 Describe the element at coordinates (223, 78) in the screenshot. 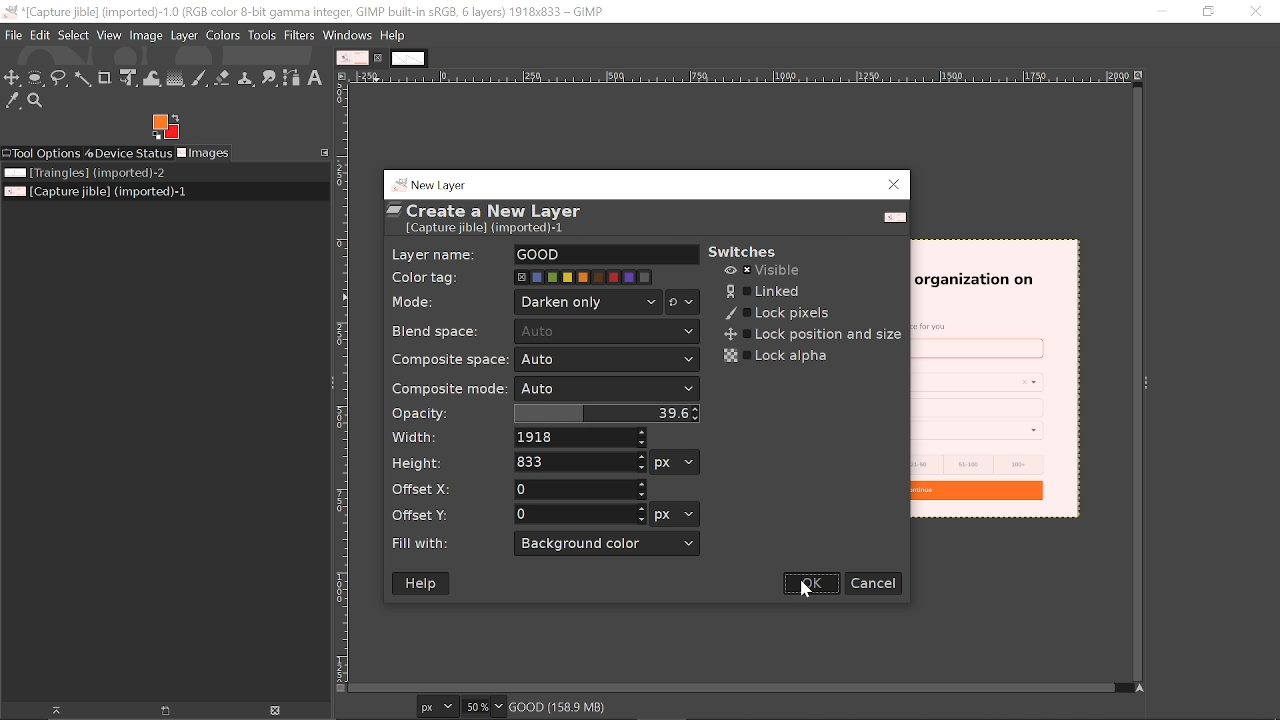

I see `Eraser tool` at that location.